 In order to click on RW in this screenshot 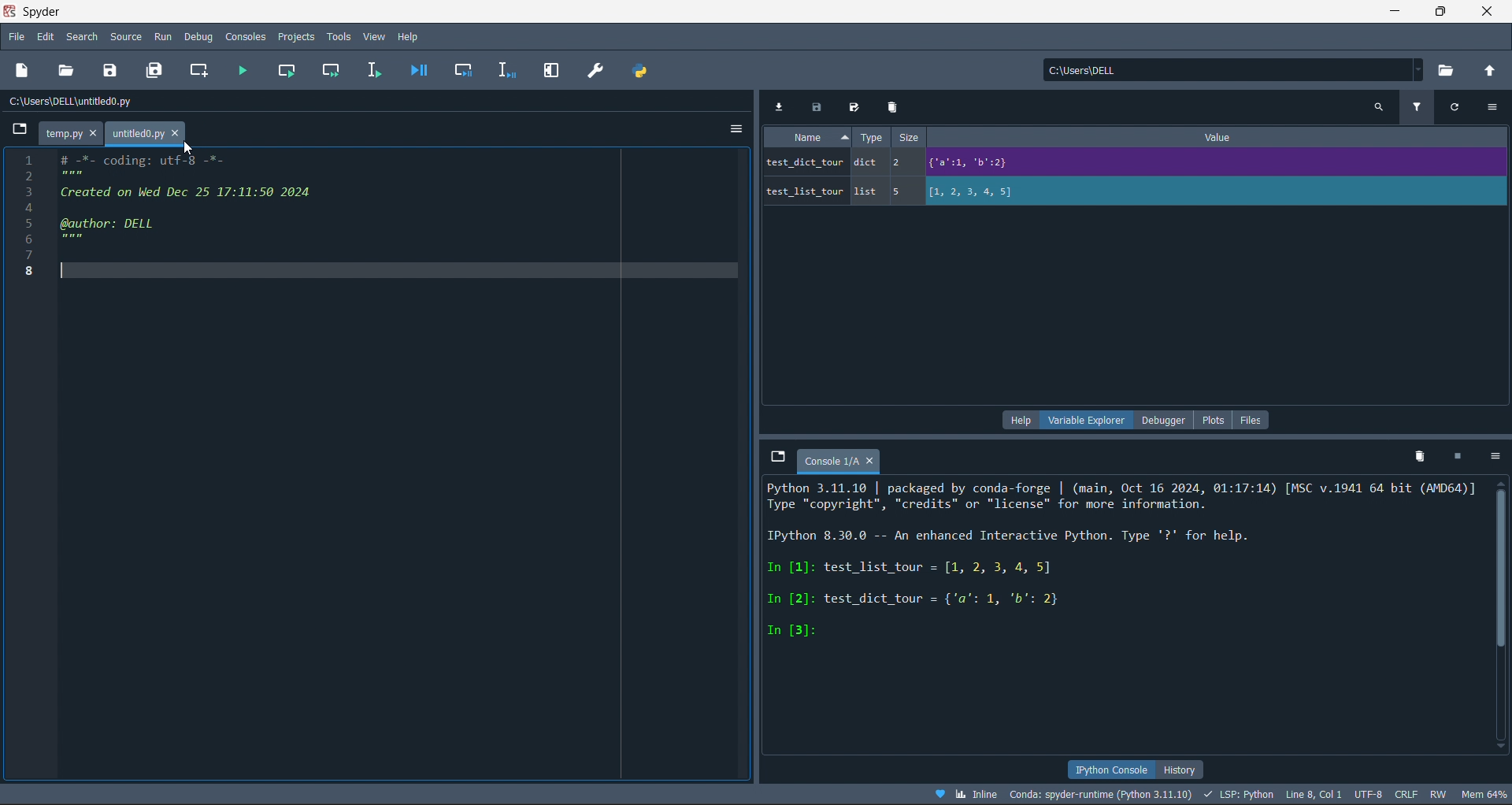, I will do `click(1440, 795)`.